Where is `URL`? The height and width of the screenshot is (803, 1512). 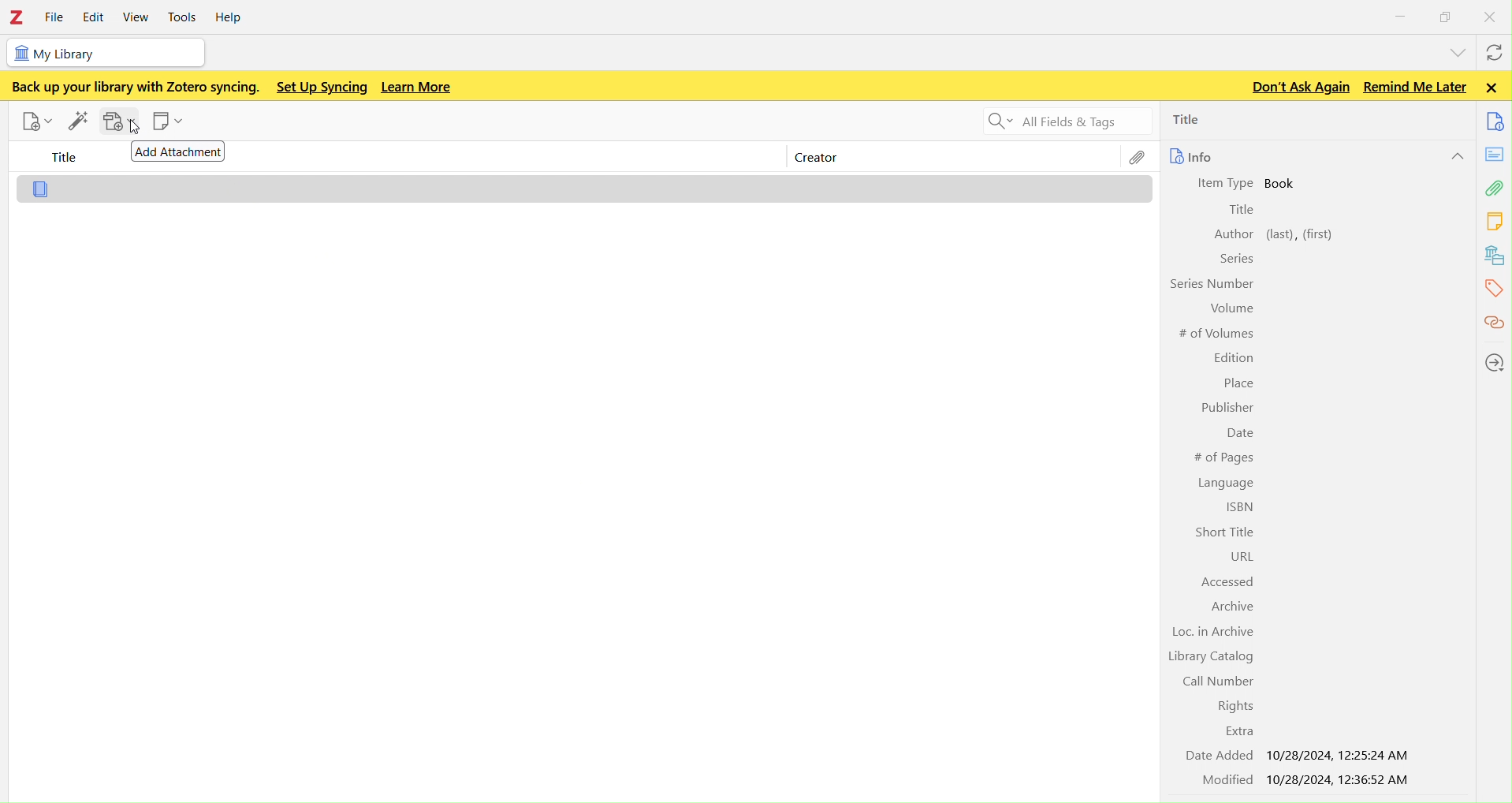
URL is located at coordinates (1238, 555).